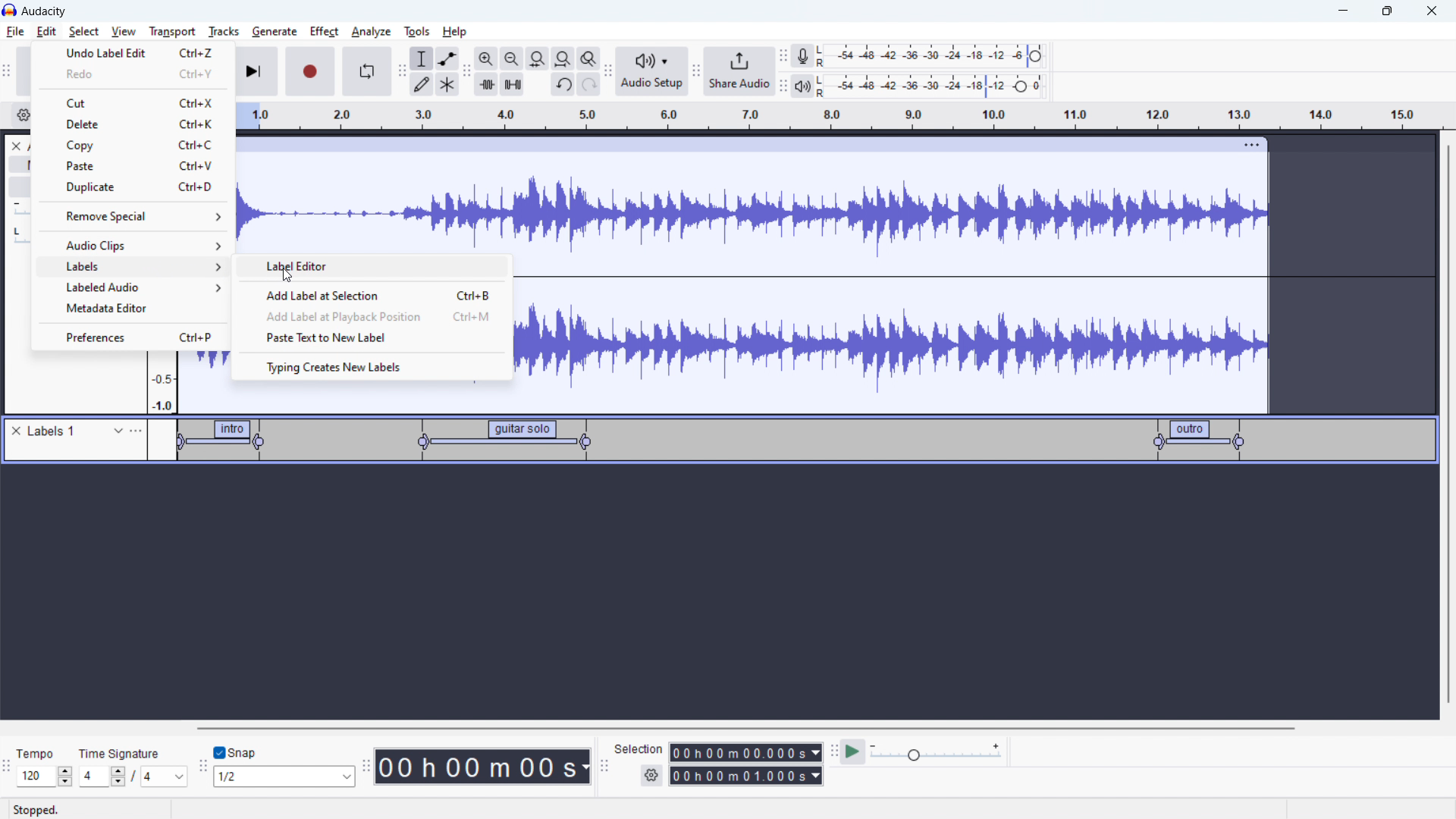  What do you see at coordinates (589, 84) in the screenshot?
I see `undo` at bounding box center [589, 84].